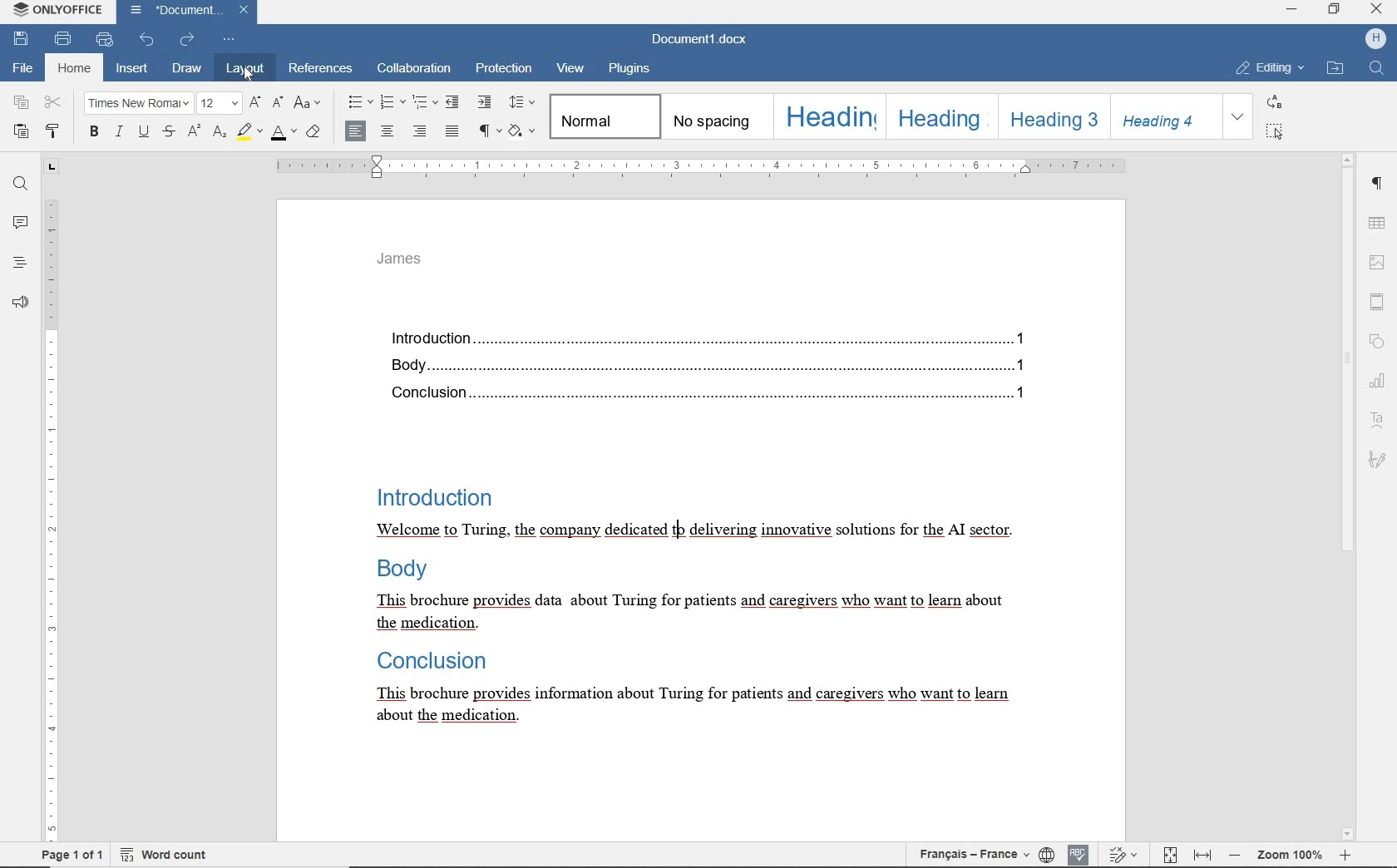 The width and height of the screenshot is (1397, 868). I want to click on draw, so click(185, 67).